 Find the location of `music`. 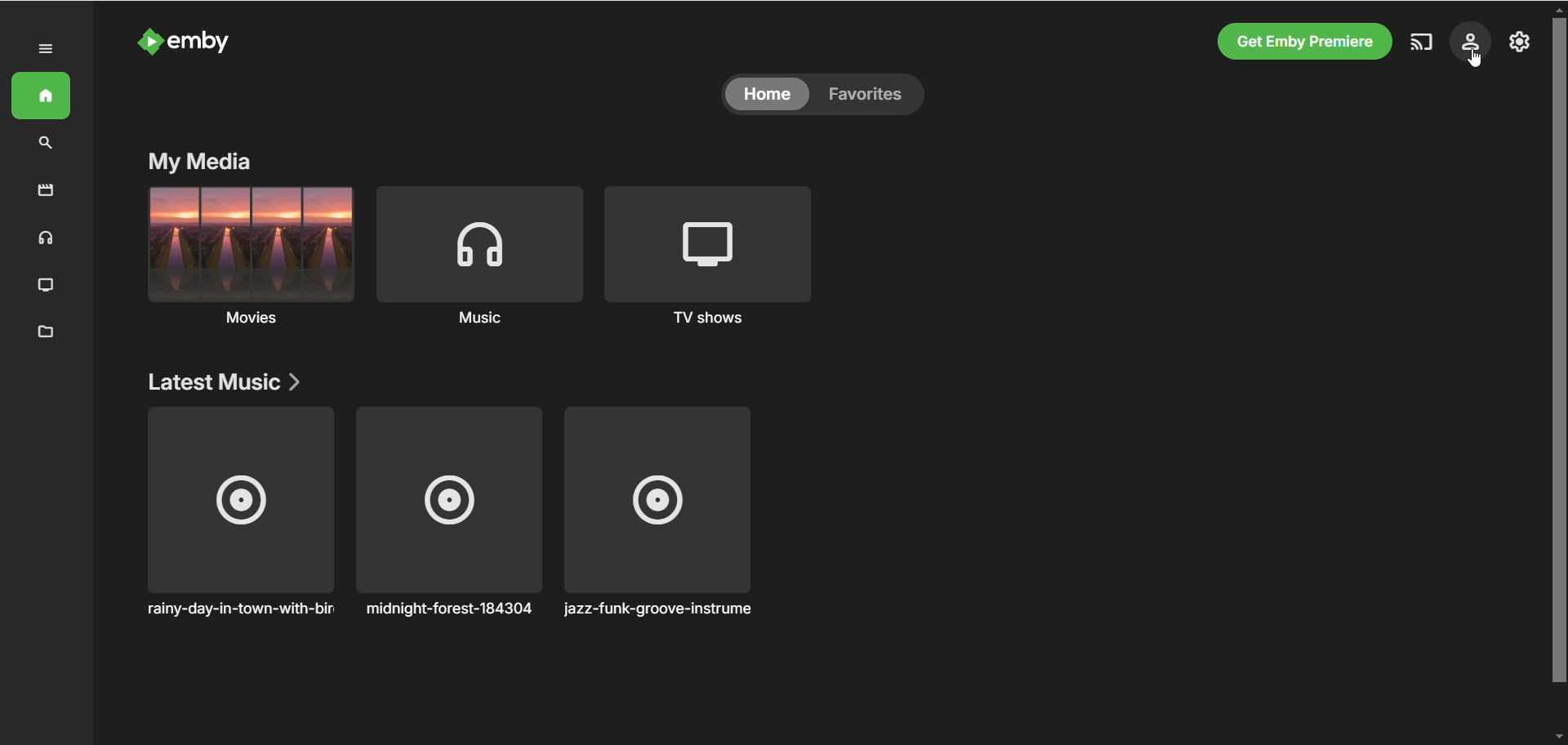

music is located at coordinates (43, 239).